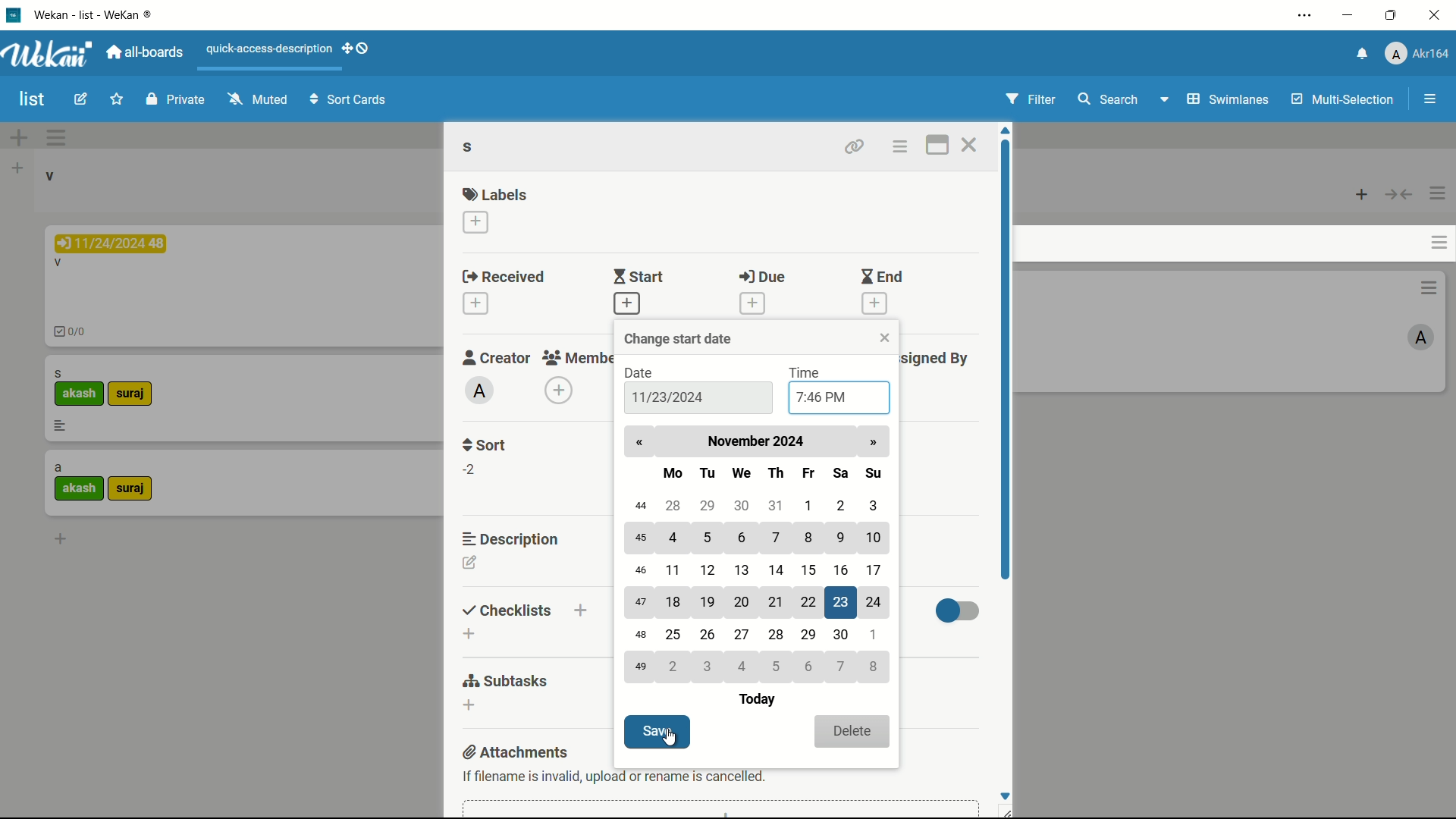  I want to click on description, so click(512, 538).